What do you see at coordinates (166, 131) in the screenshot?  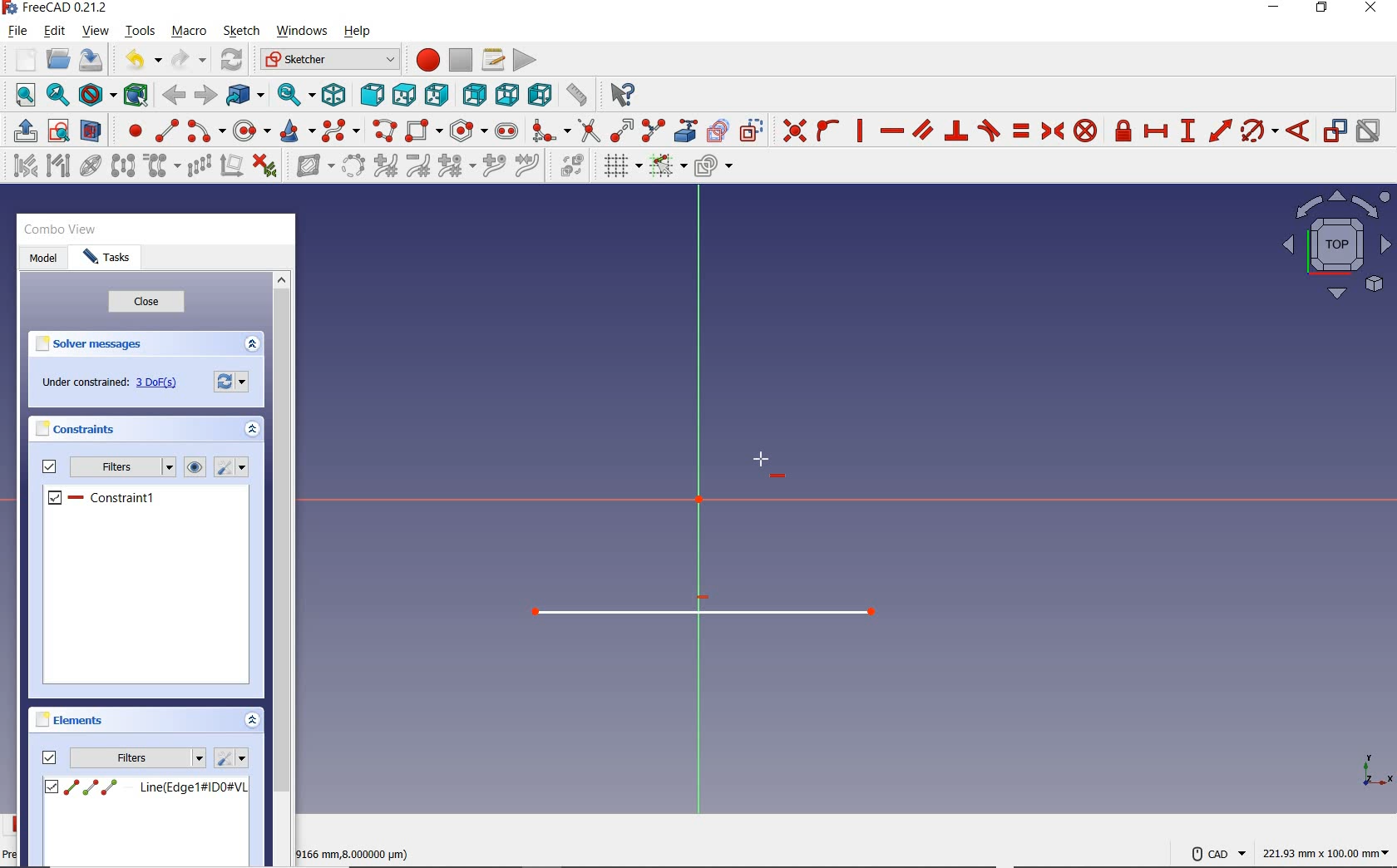 I see `CREATE LINE` at bounding box center [166, 131].